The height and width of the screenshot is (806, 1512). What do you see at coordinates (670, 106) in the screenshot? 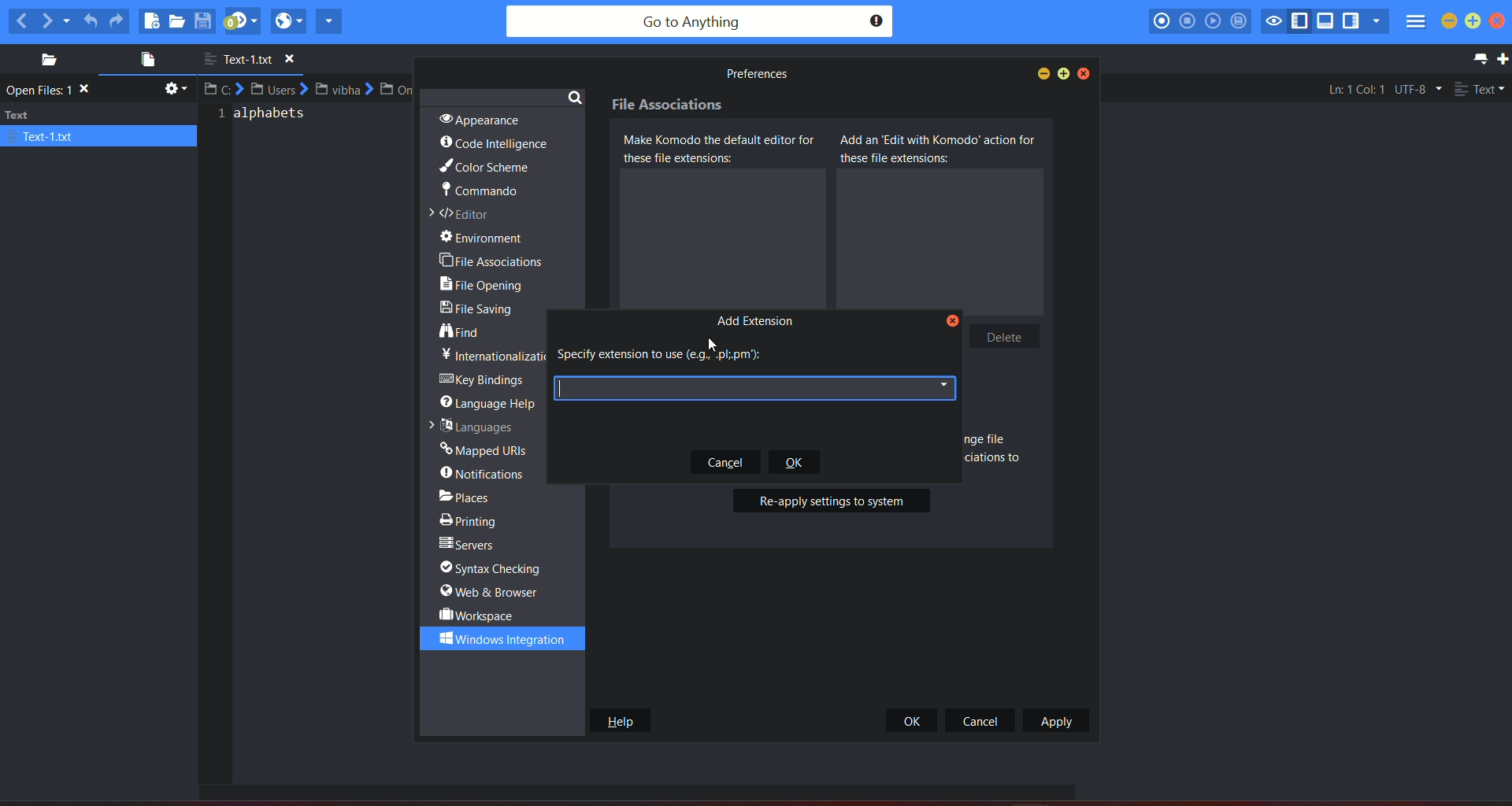
I see `File associations` at bounding box center [670, 106].